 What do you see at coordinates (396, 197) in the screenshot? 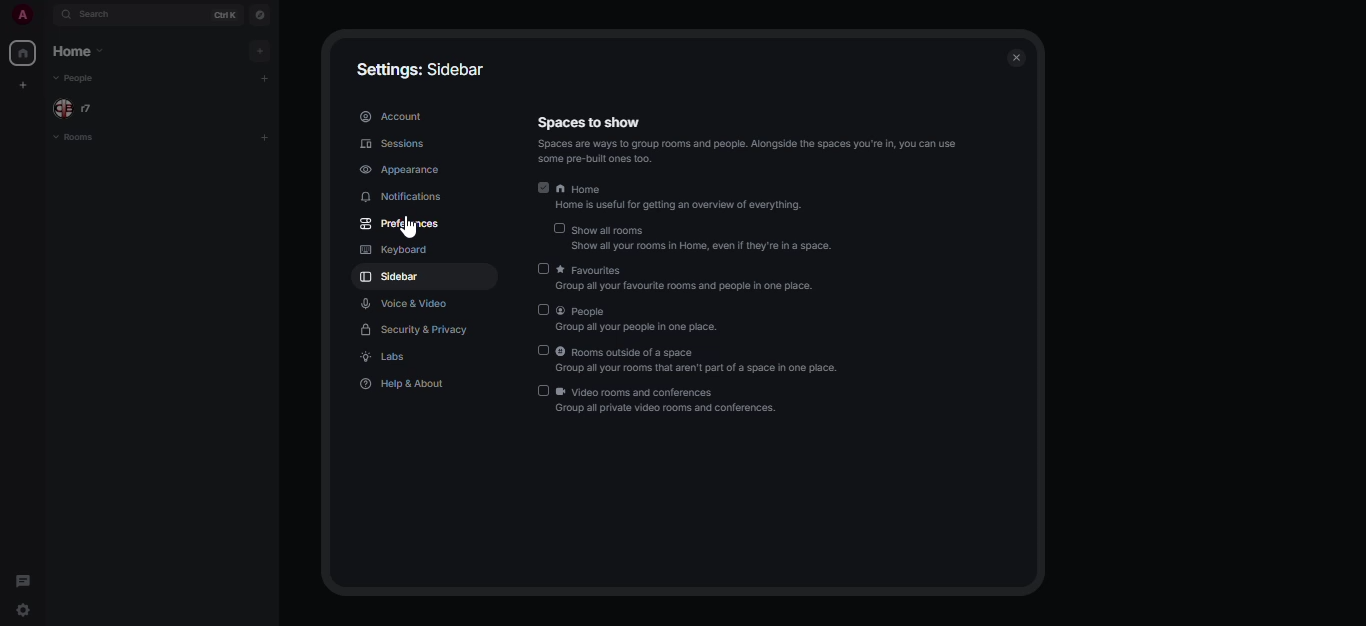
I see `notifications` at bounding box center [396, 197].